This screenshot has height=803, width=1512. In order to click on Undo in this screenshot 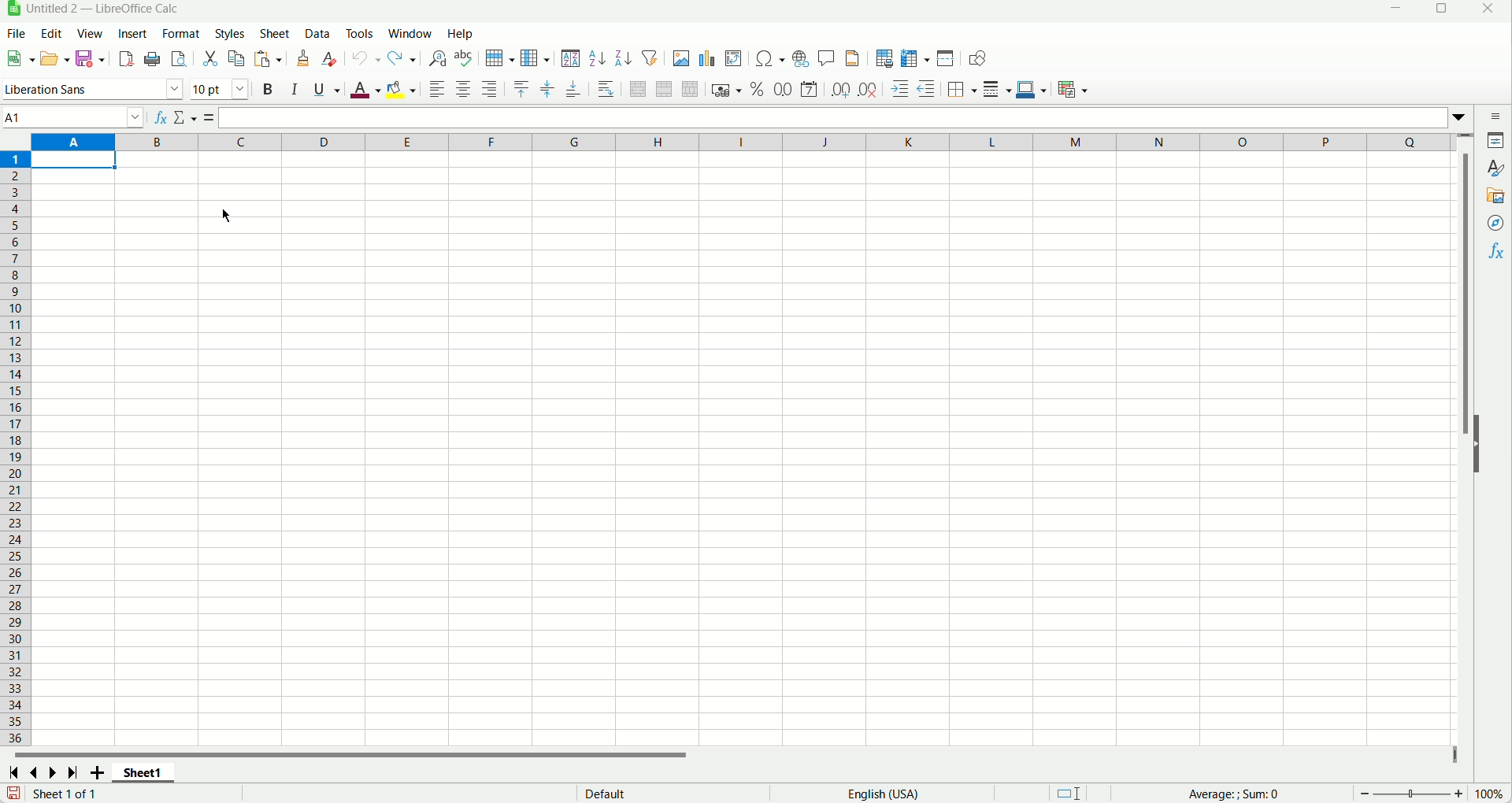, I will do `click(367, 57)`.